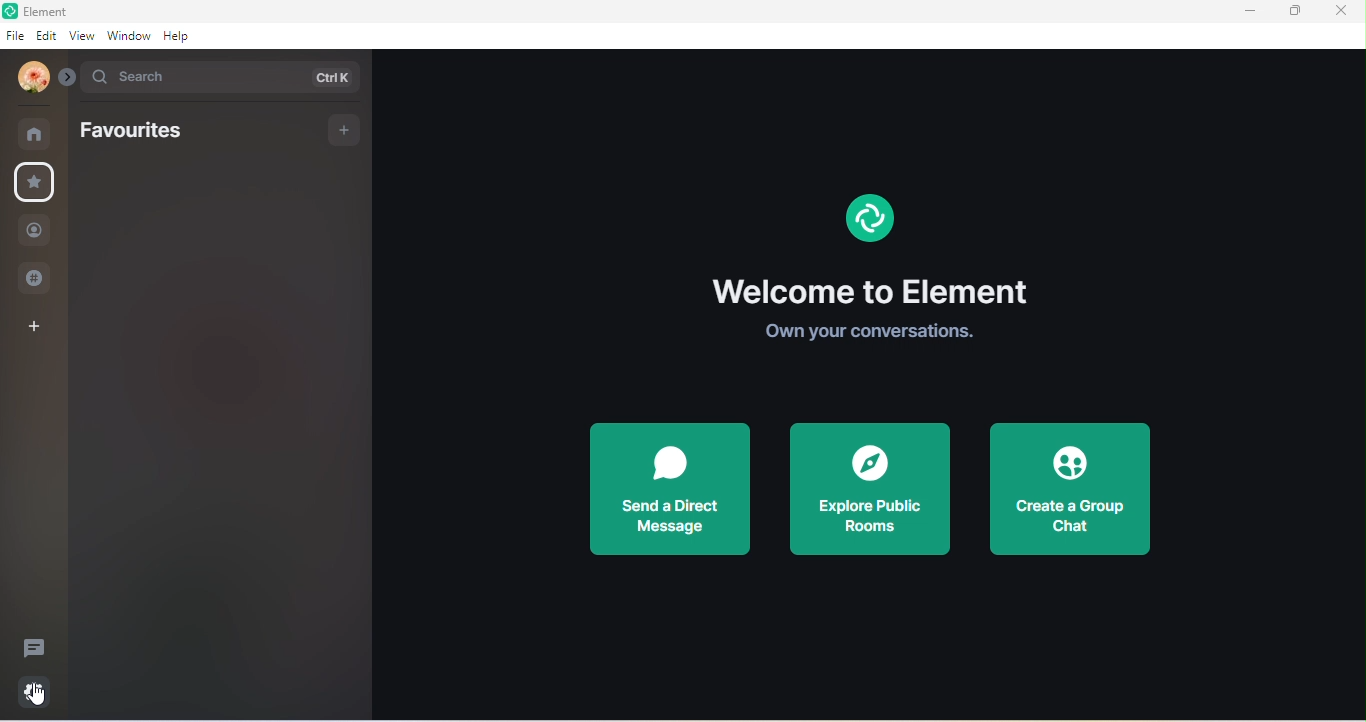 The width and height of the screenshot is (1366, 722). Describe the element at coordinates (46, 36) in the screenshot. I see `edit` at that location.